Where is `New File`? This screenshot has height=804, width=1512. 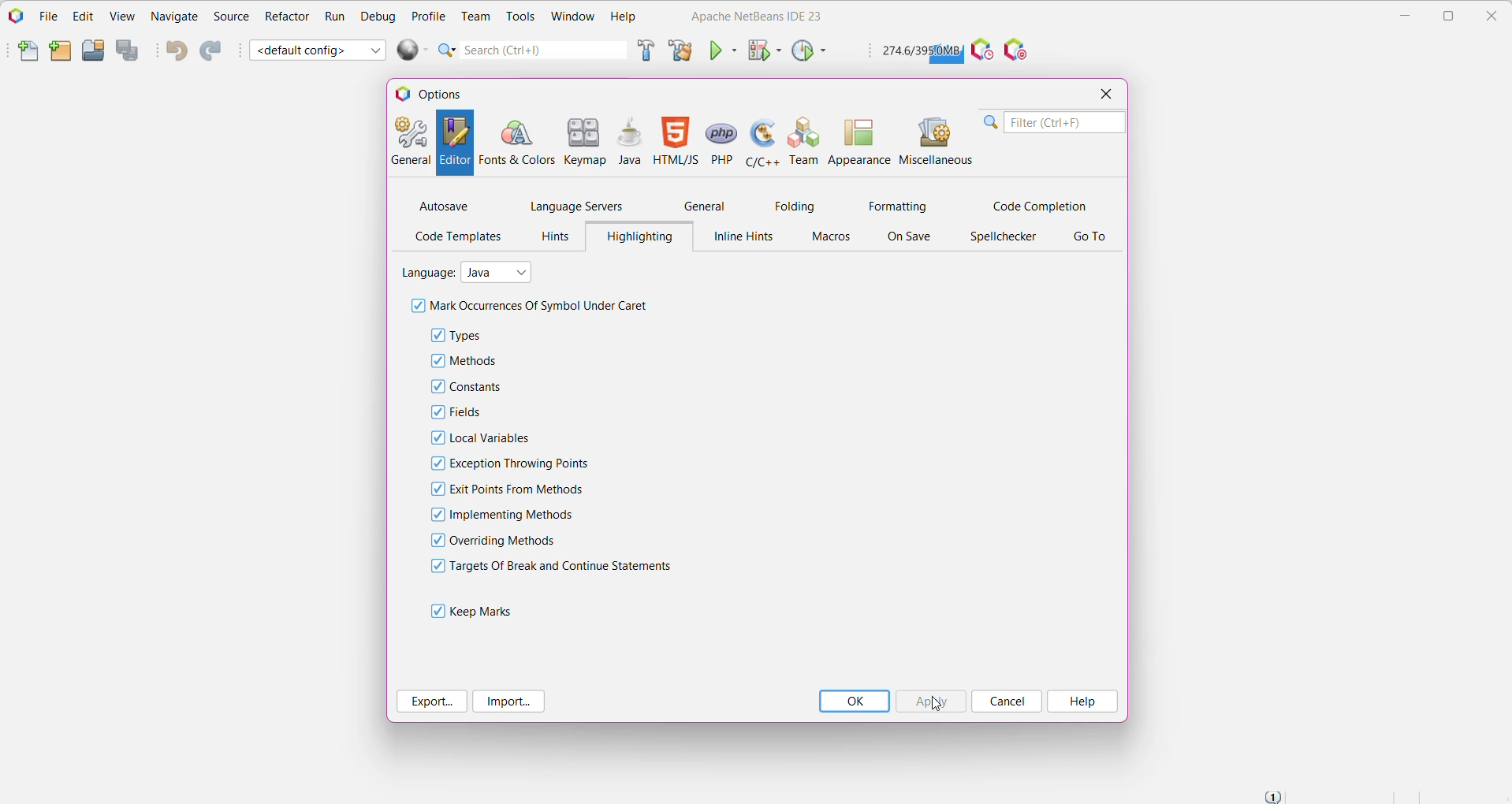 New File is located at coordinates (20, 52).